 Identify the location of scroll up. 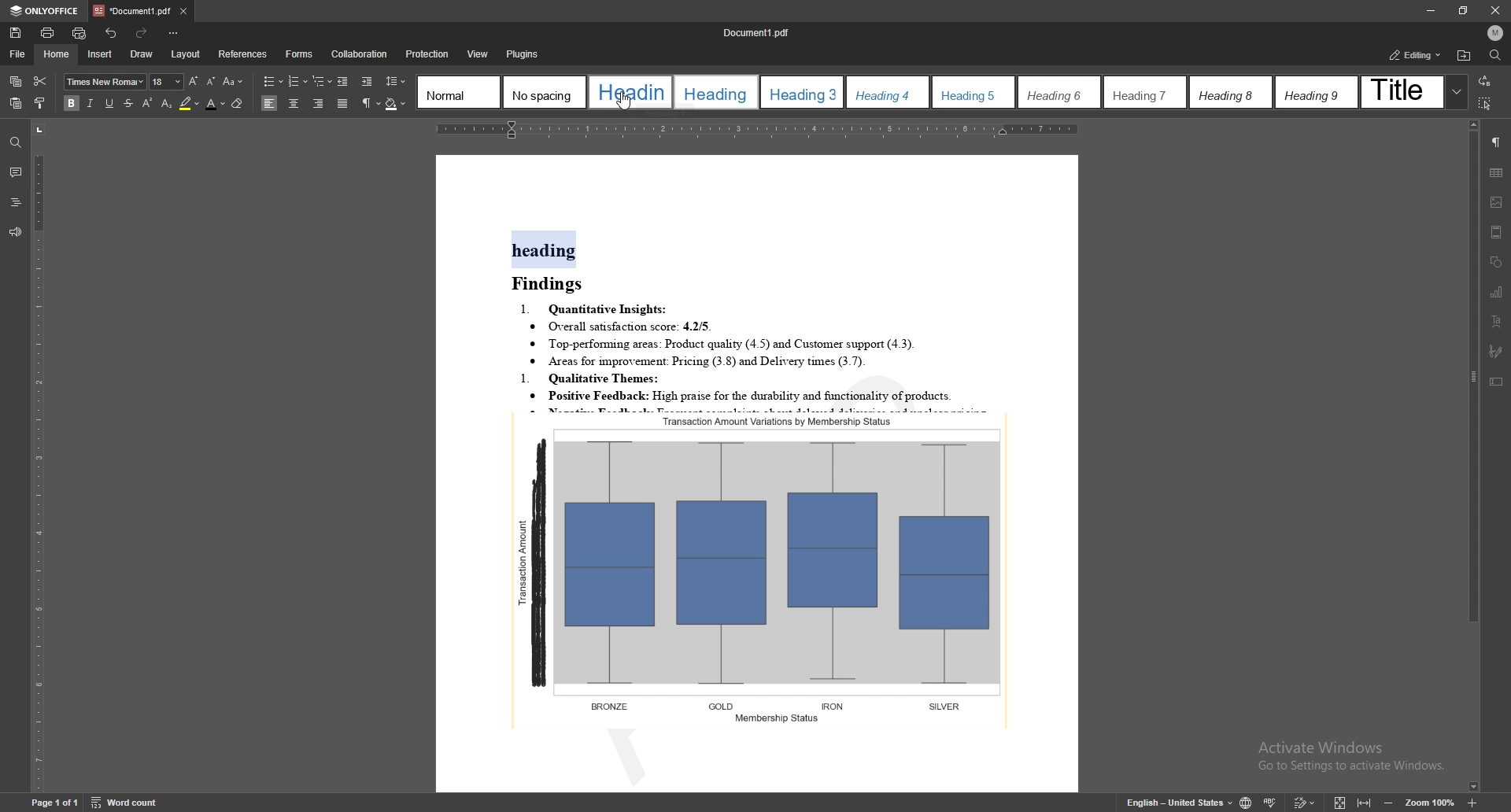
(1472, 125).